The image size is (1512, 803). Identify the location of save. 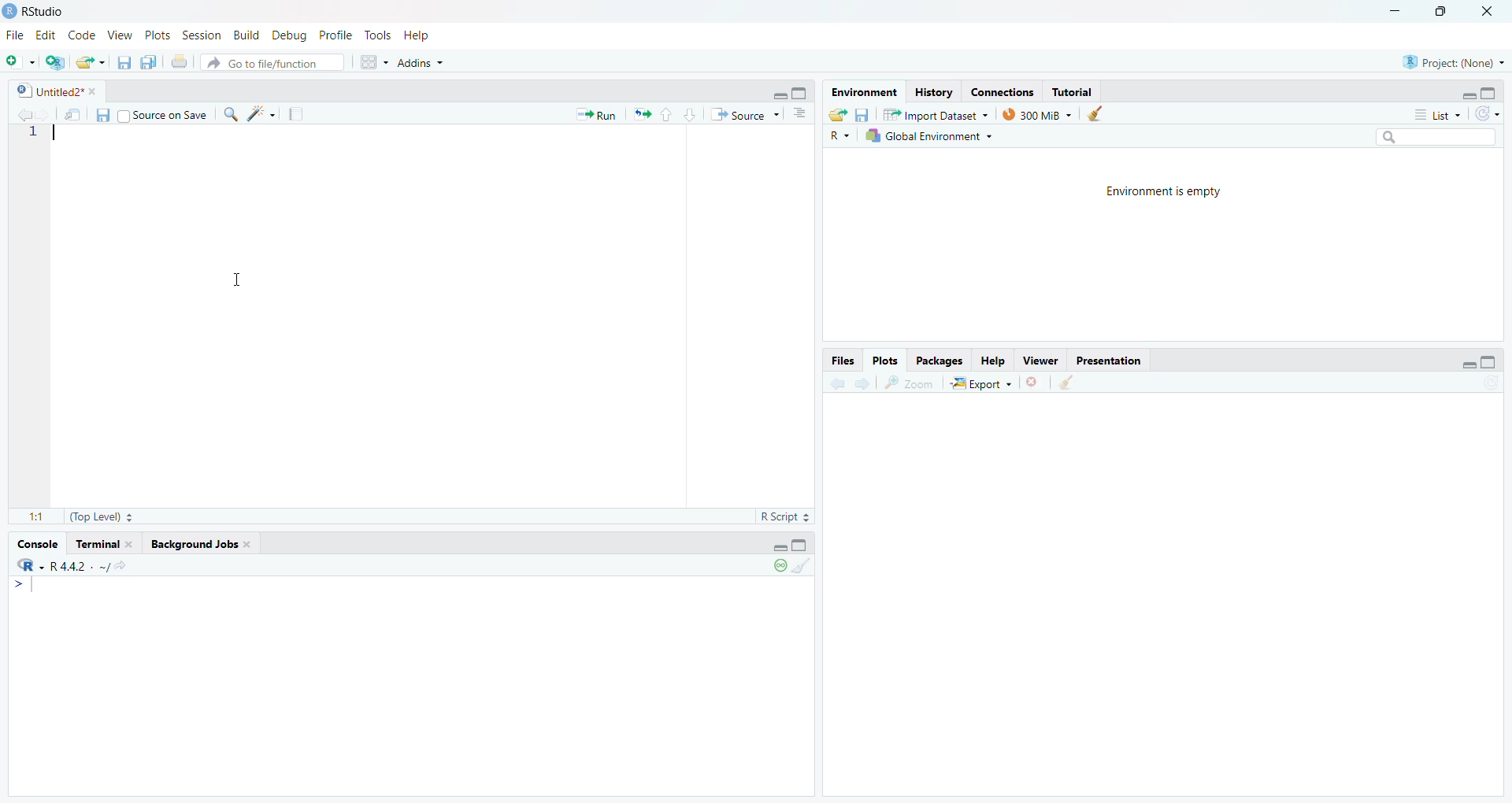
(102, 115).